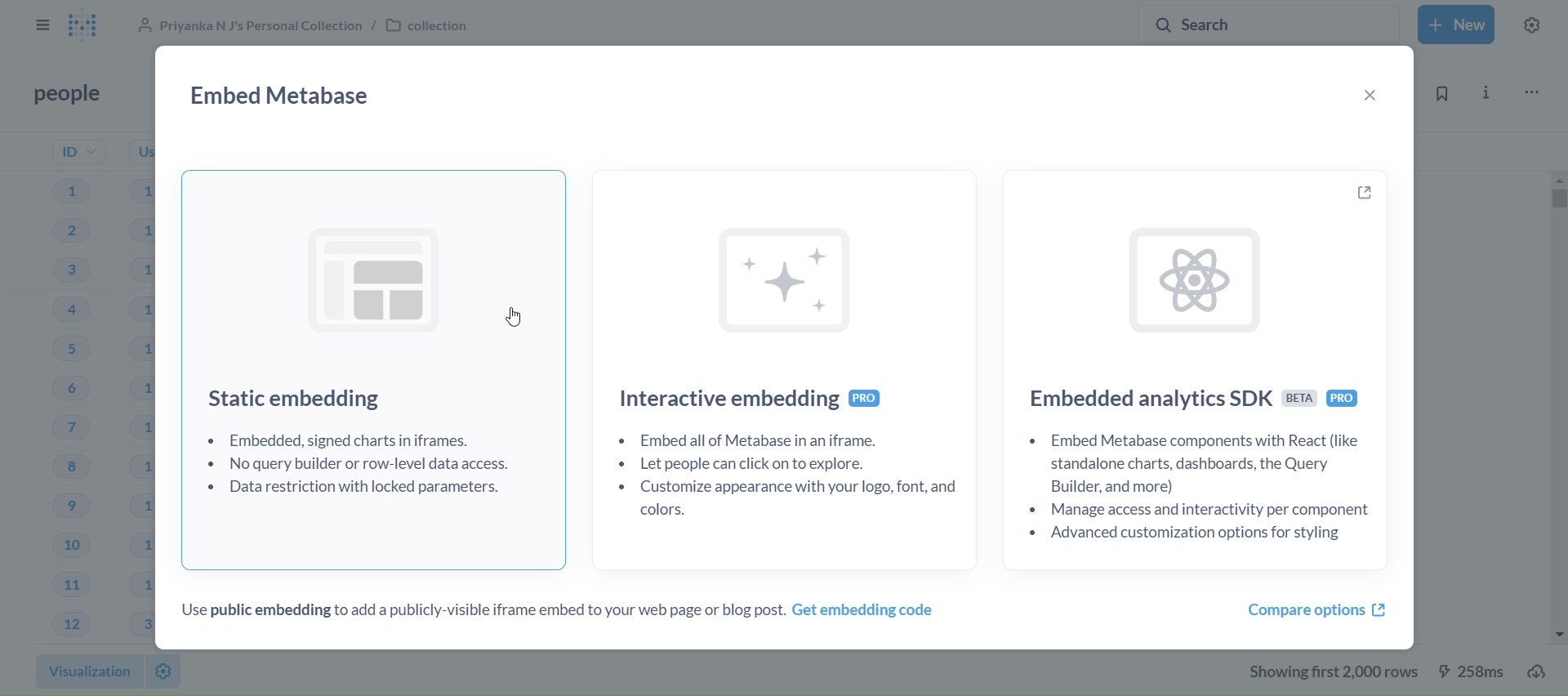 The width and height of the screenshot is (1568, 696). I want to click on compare options, so click(1315, 610).